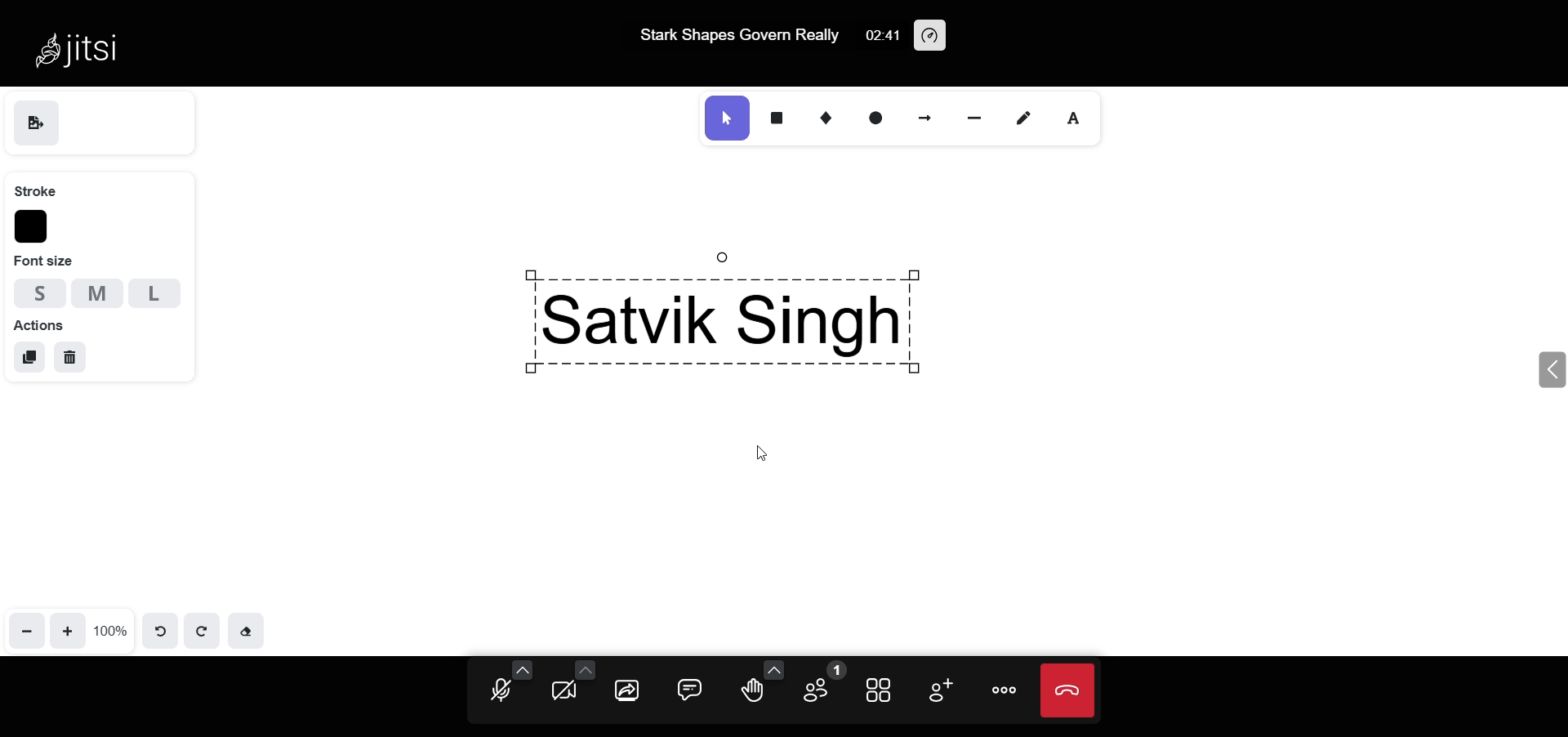  What do you see at coordinates (70, 359) in the screenshot?
I see `delete` at bounding box center [70, 359].